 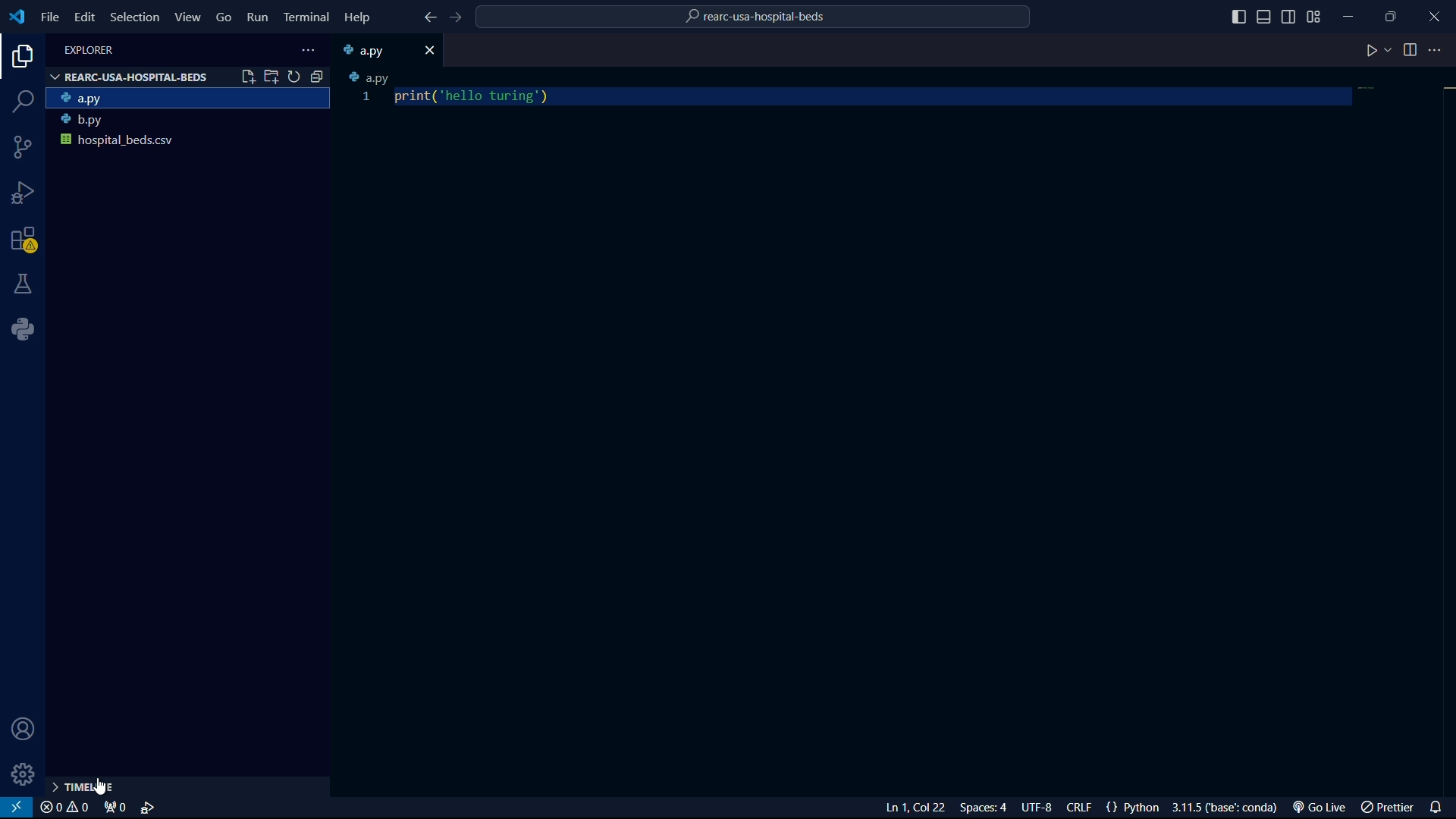 I want to click on extensions, so click(x=27, y=240).